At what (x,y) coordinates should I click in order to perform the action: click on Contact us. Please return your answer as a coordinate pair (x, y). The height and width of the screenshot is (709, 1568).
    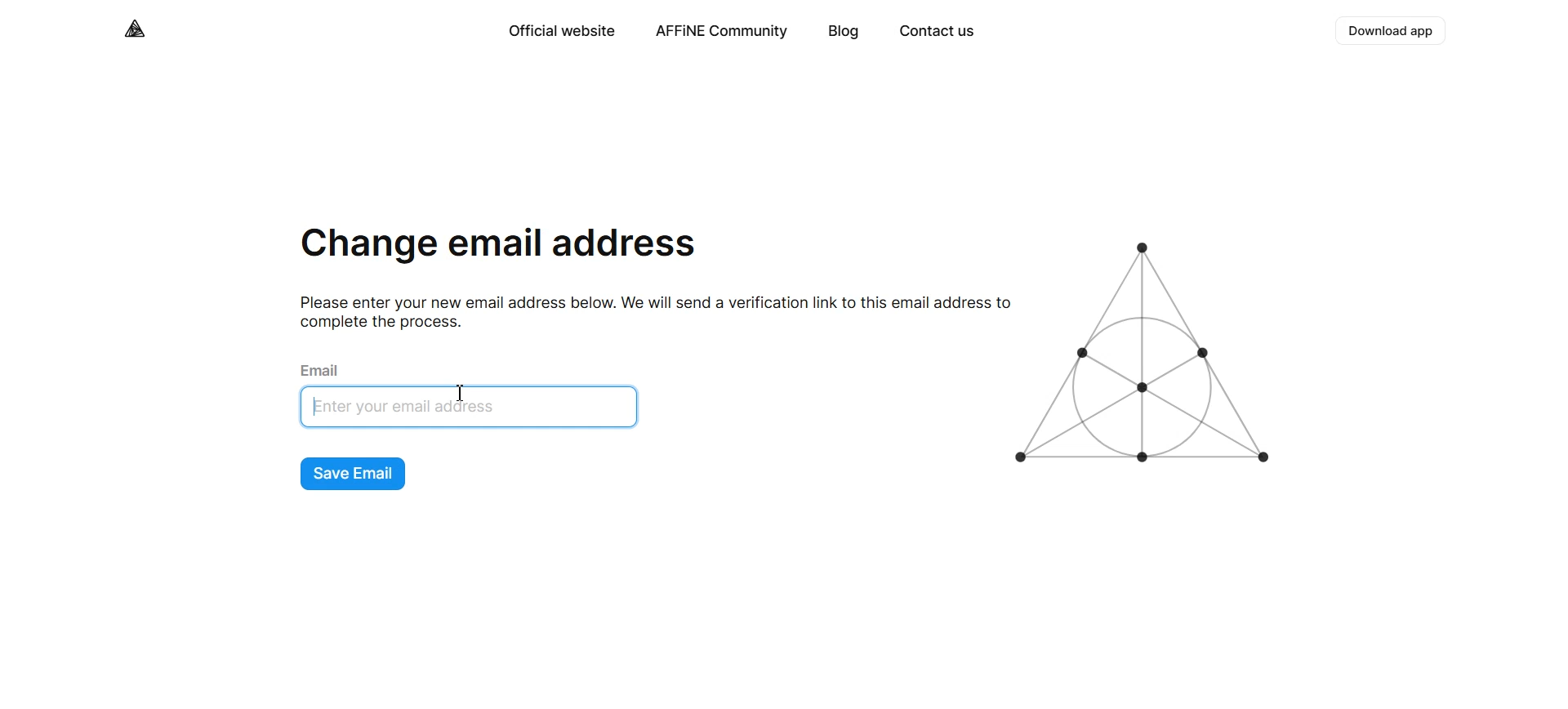
    Looking at the image, I should click on (936, 33).